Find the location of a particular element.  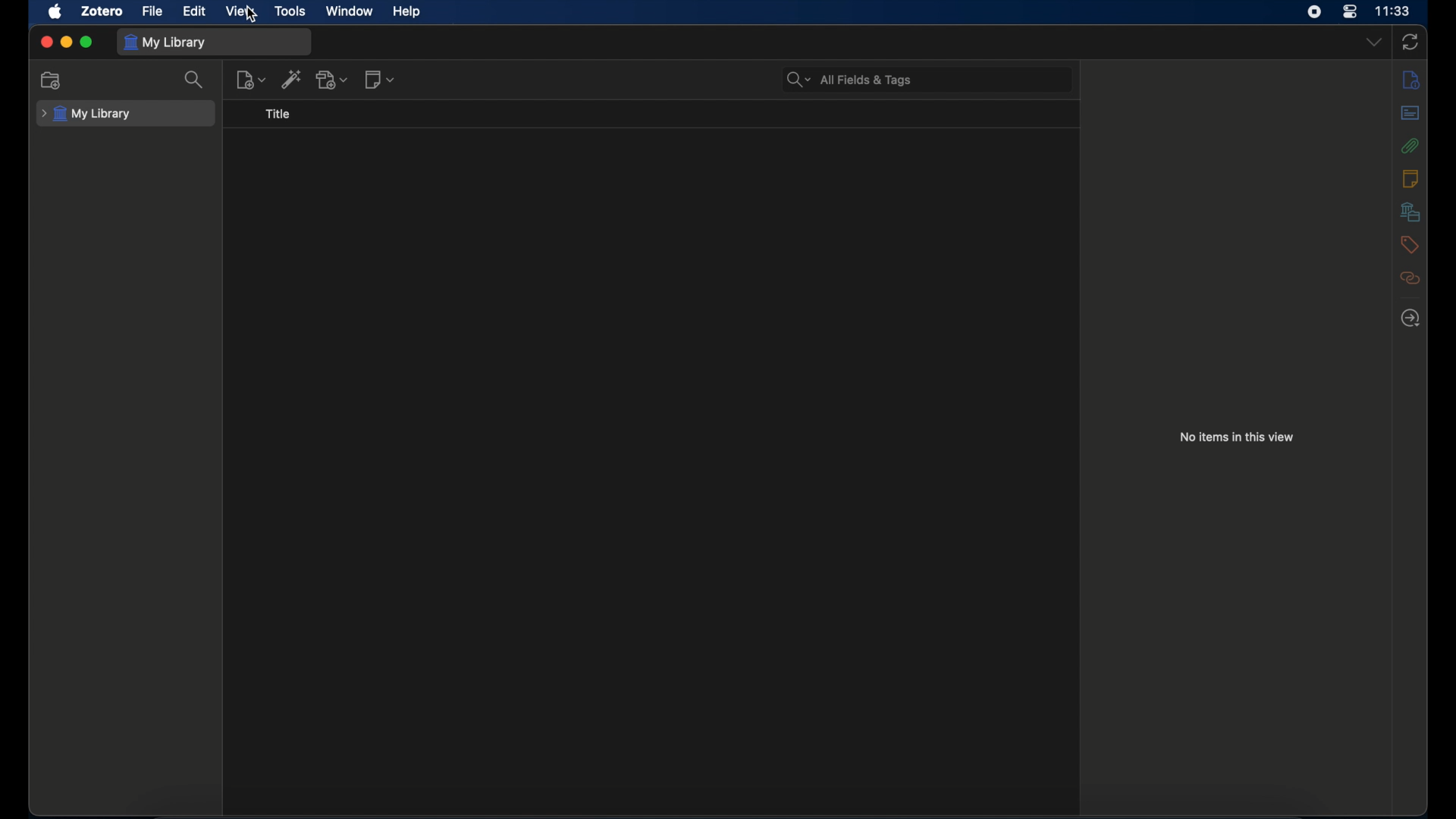

file is located at coordinates (152, 12).